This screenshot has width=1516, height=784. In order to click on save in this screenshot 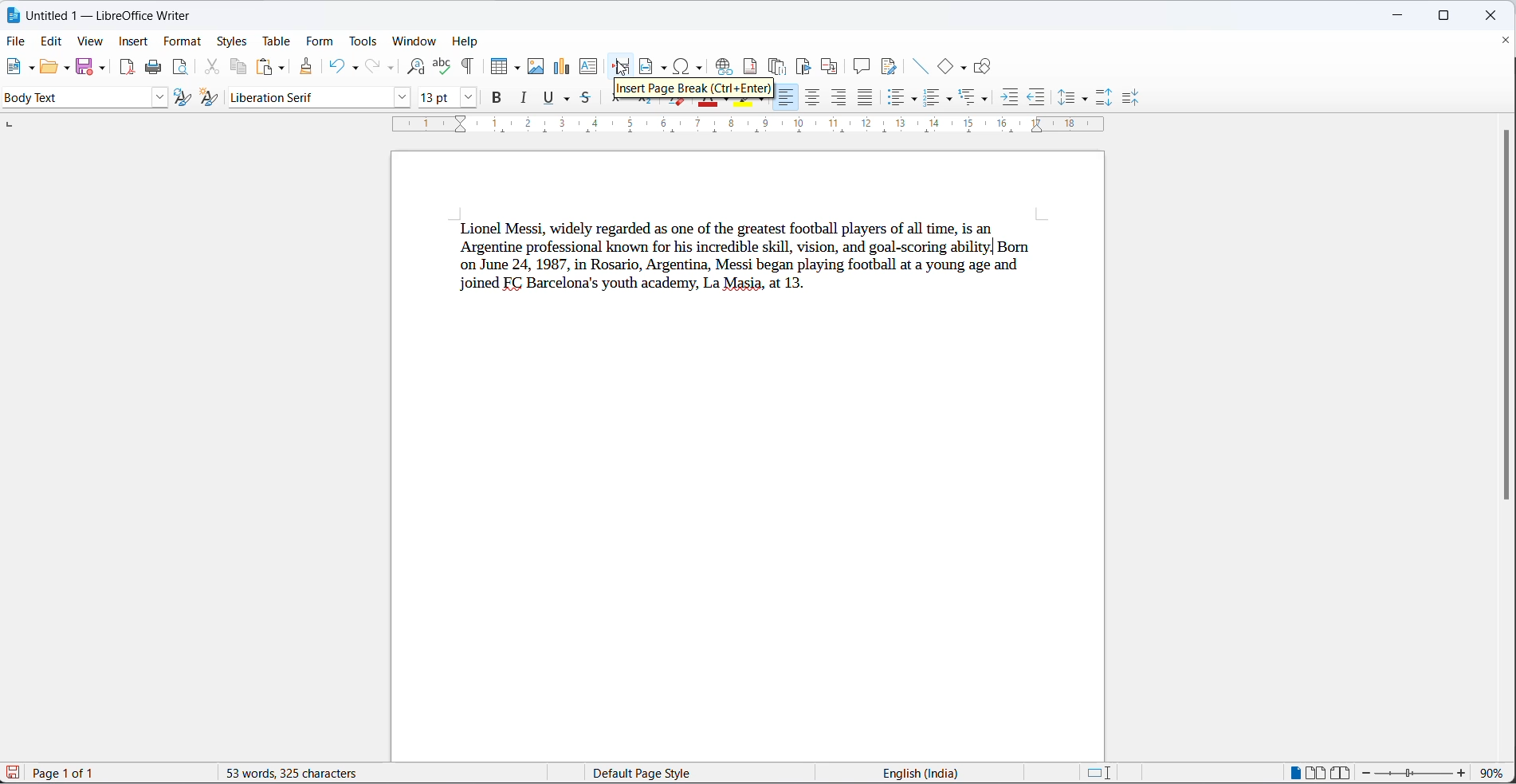, I will do `click(84, 68)`.